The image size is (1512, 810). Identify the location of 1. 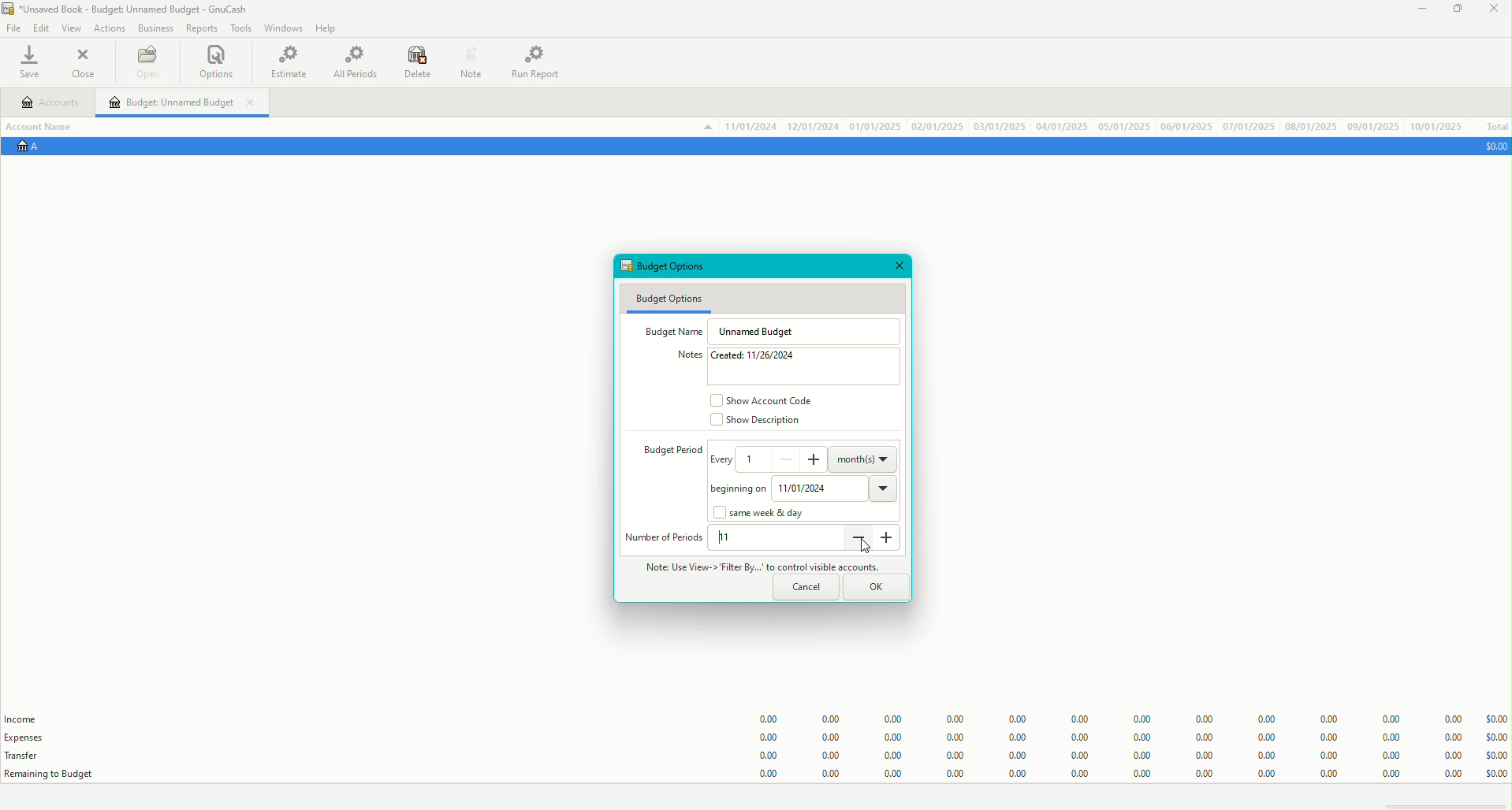
(756, 458).